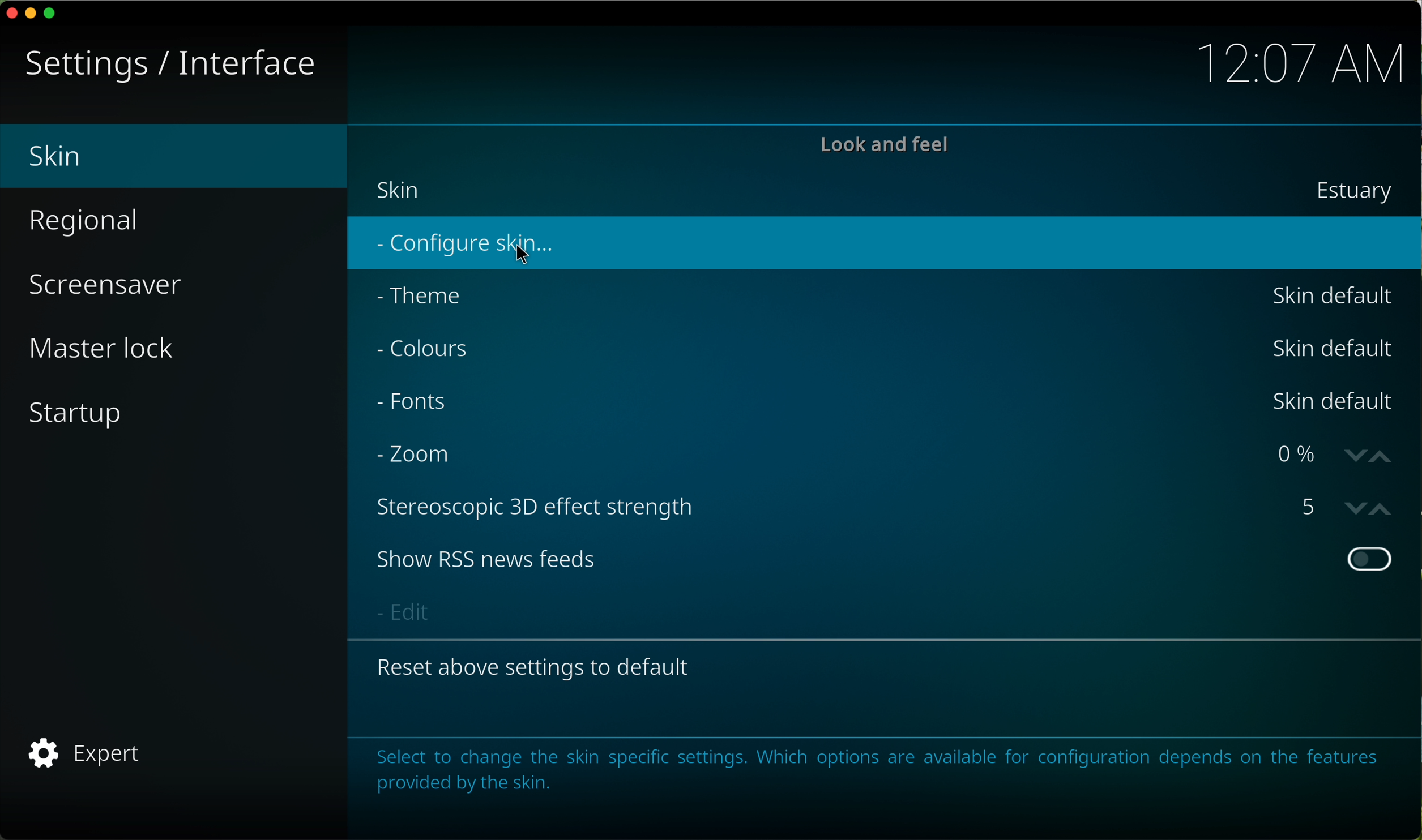 This screenshot has width=1422, height=840. I want to click on theme, so click(880, 296).